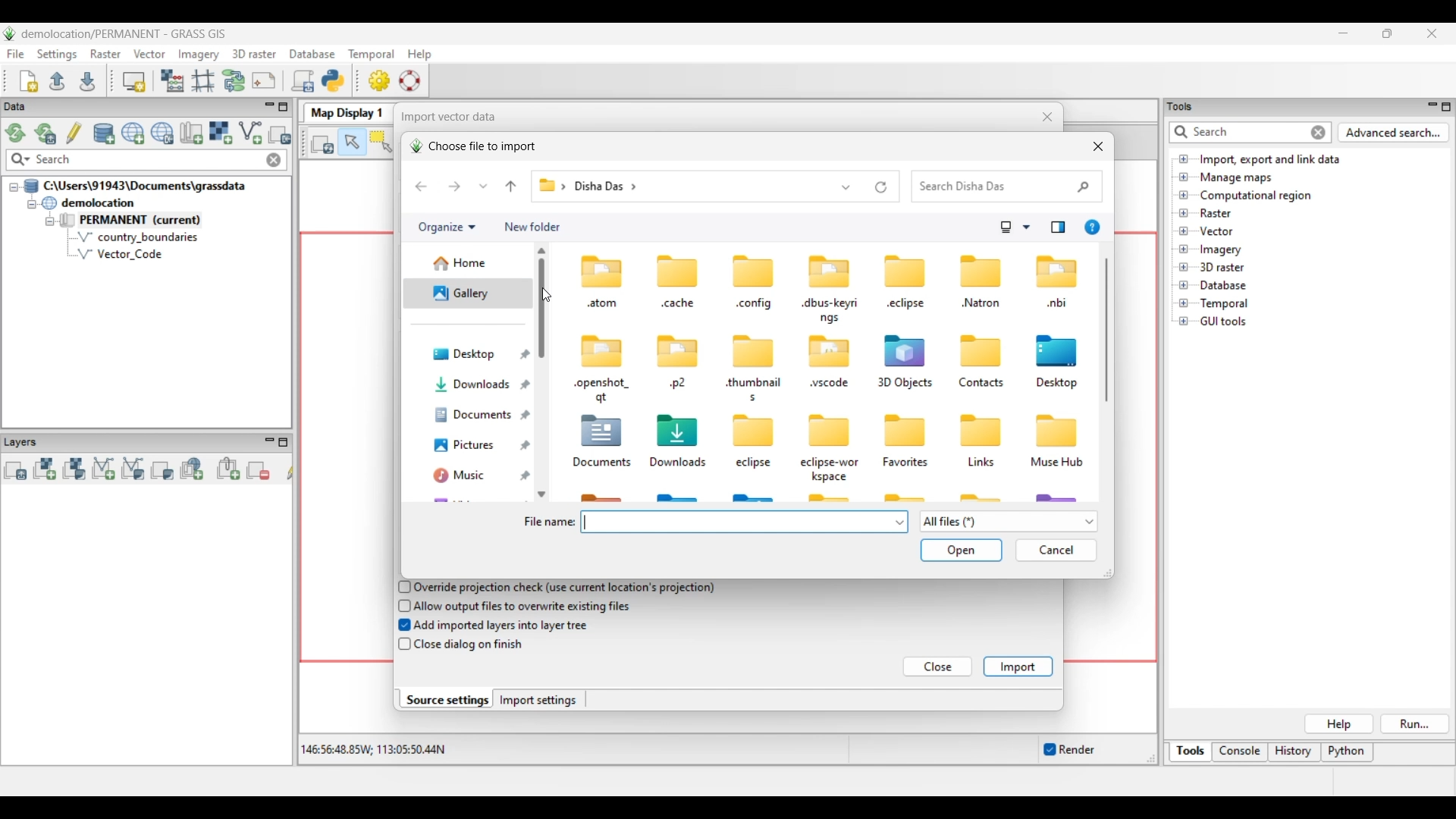 Image resolution: width=1456 pixels, height=819 pixels. What do you see at coordinates (172, 80) in the screenshot?
I see `Raster map calculator` at bounding box center [172, 80].